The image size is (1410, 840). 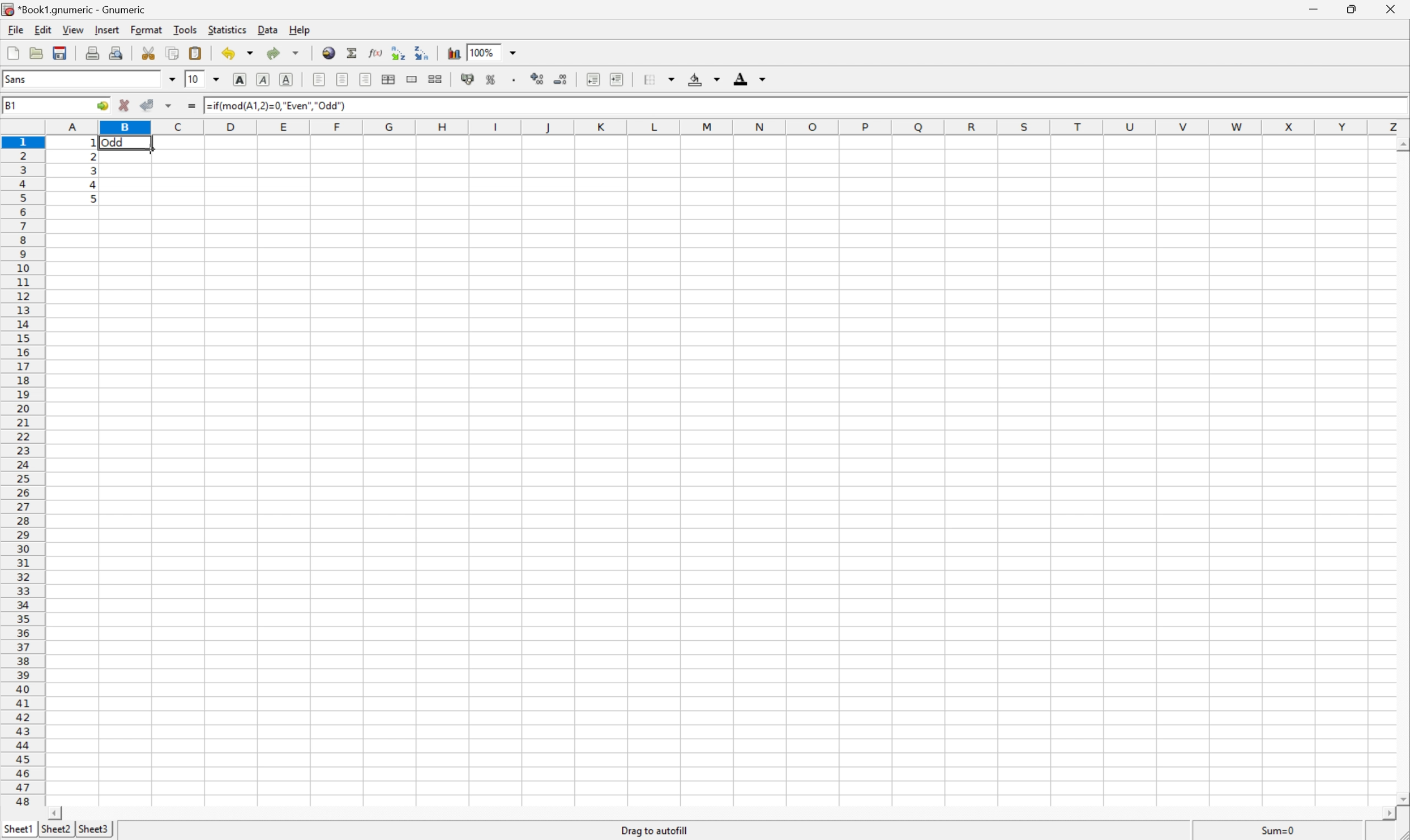 What do you see at coordinates (95, 829) in the screenshot?
I see `Sheet3` at bounding box center [95, 829].